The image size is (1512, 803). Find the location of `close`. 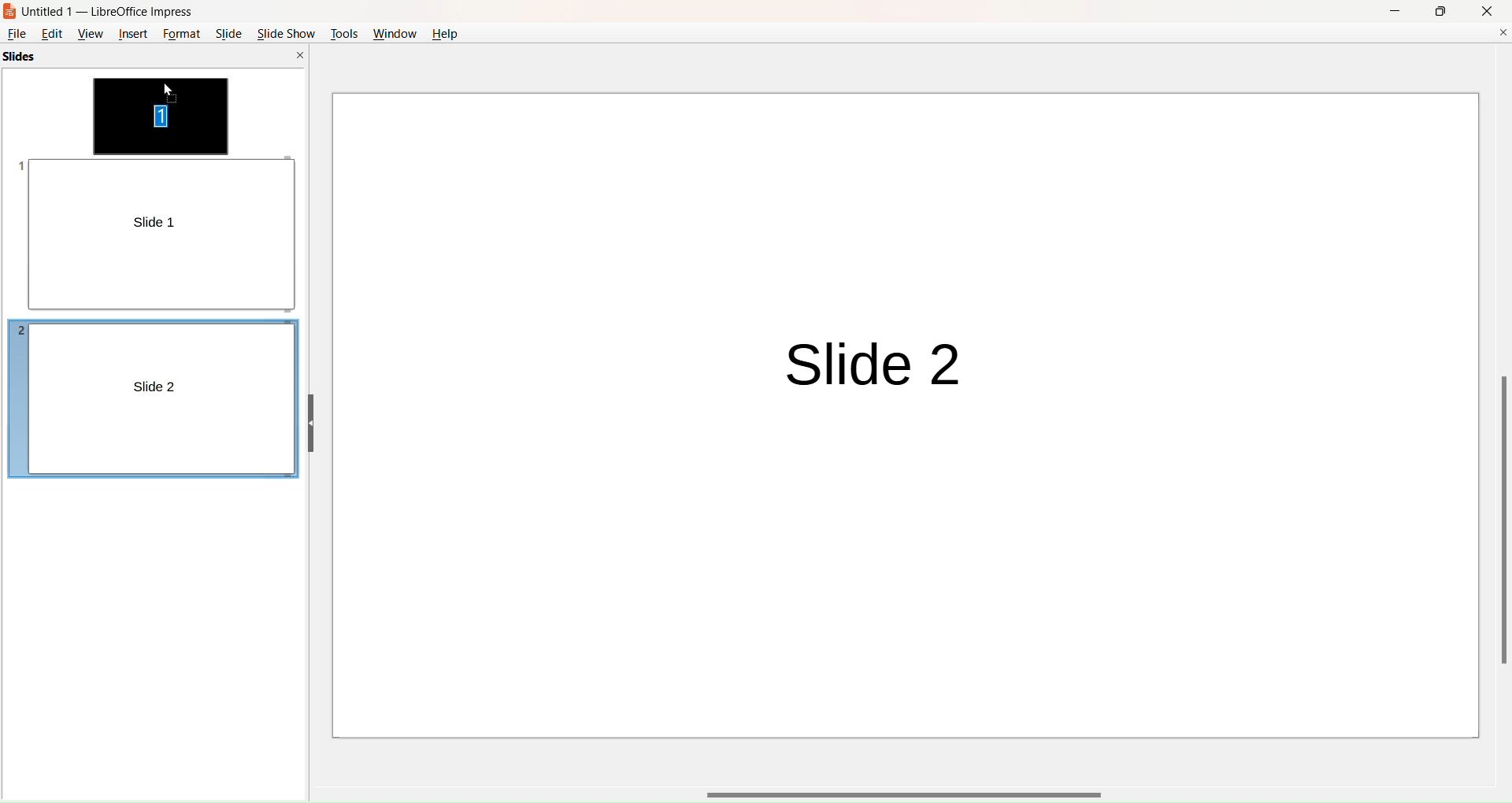

close is located at coordinates (1488, 10).